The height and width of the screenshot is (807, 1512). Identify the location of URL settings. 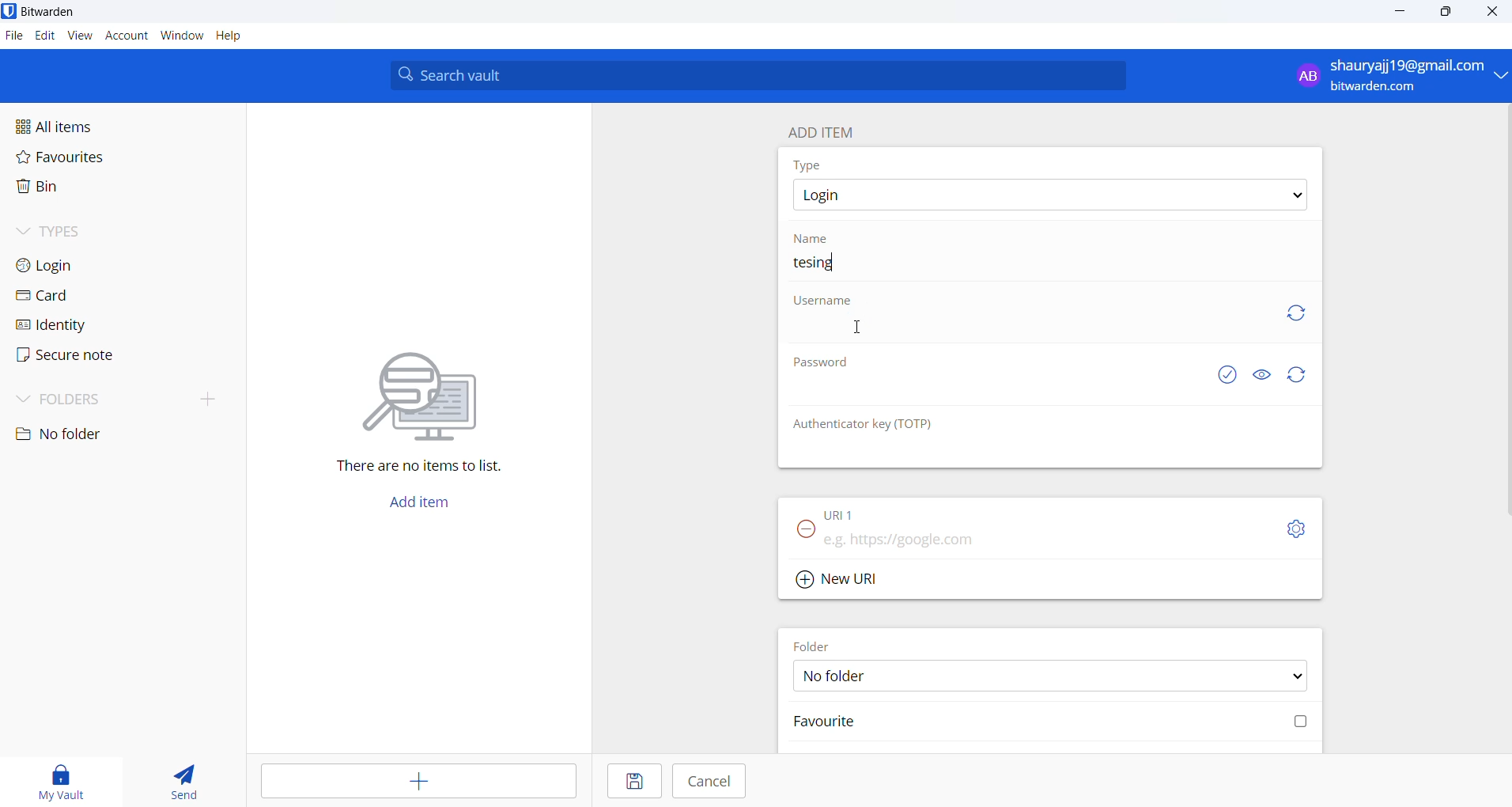
(1299, 530).